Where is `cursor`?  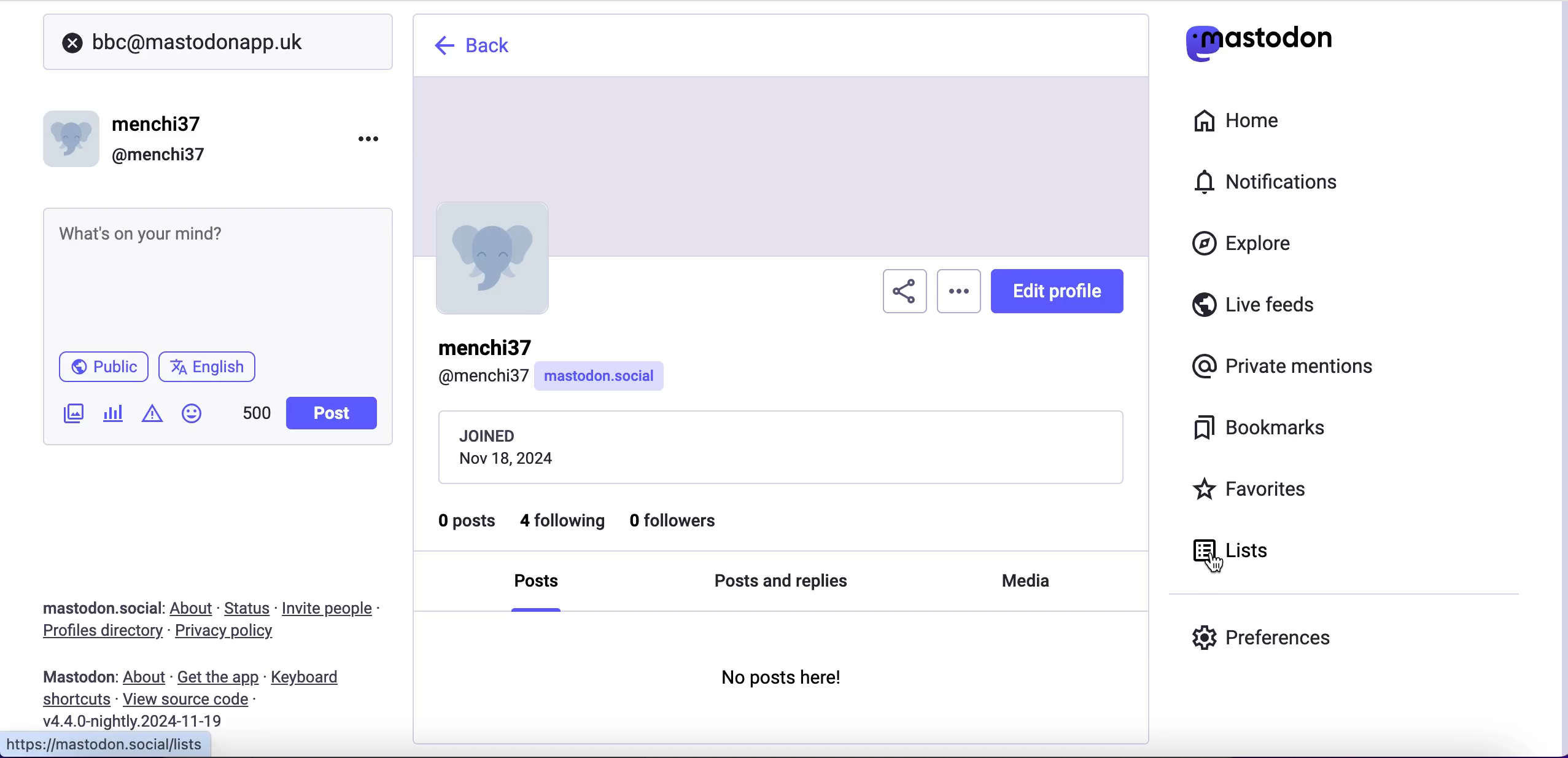
cursor is located at coordinates (1212, 563).